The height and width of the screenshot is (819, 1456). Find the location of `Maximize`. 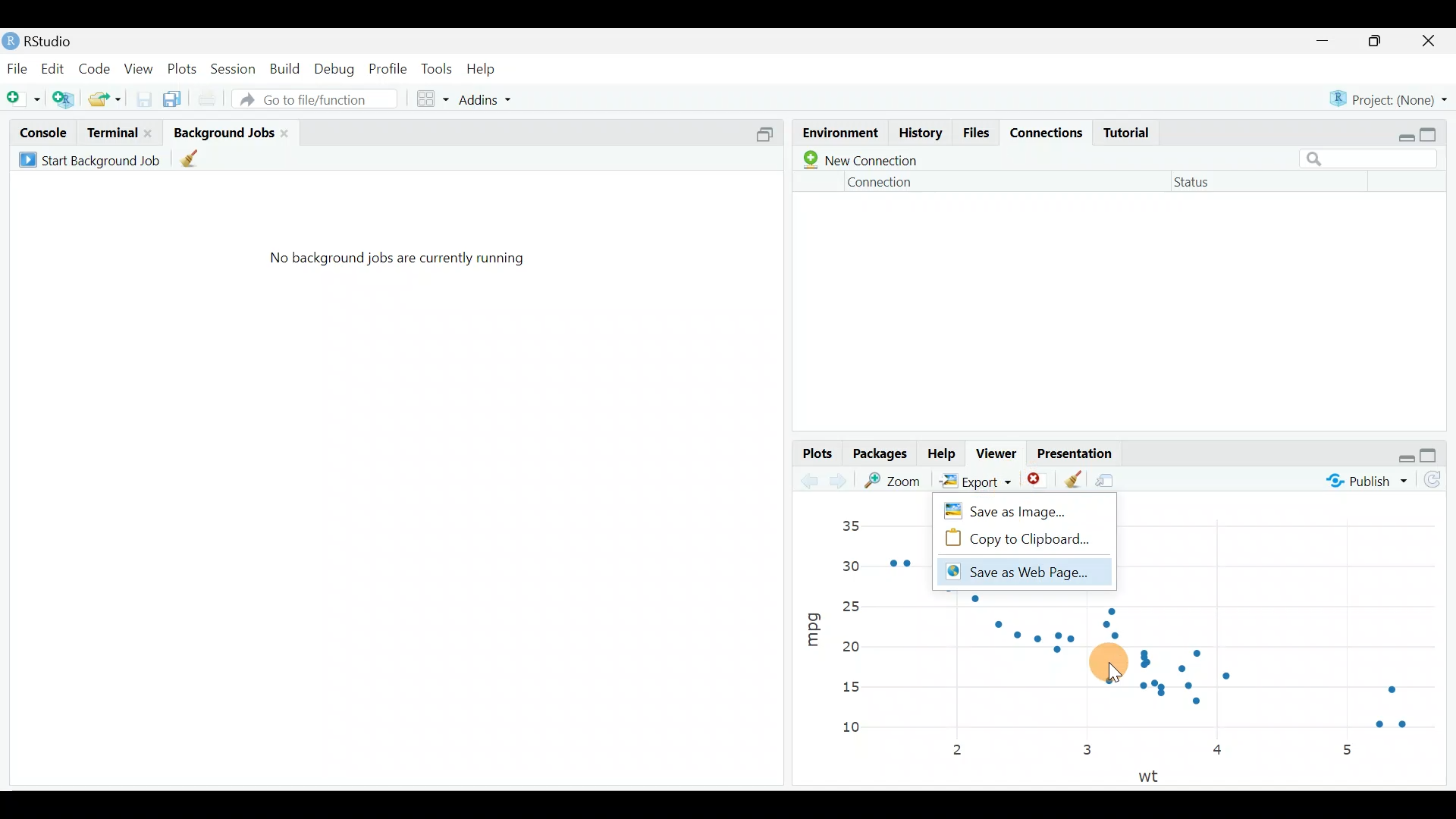

Maximize is located at coordinates (1437, 455).